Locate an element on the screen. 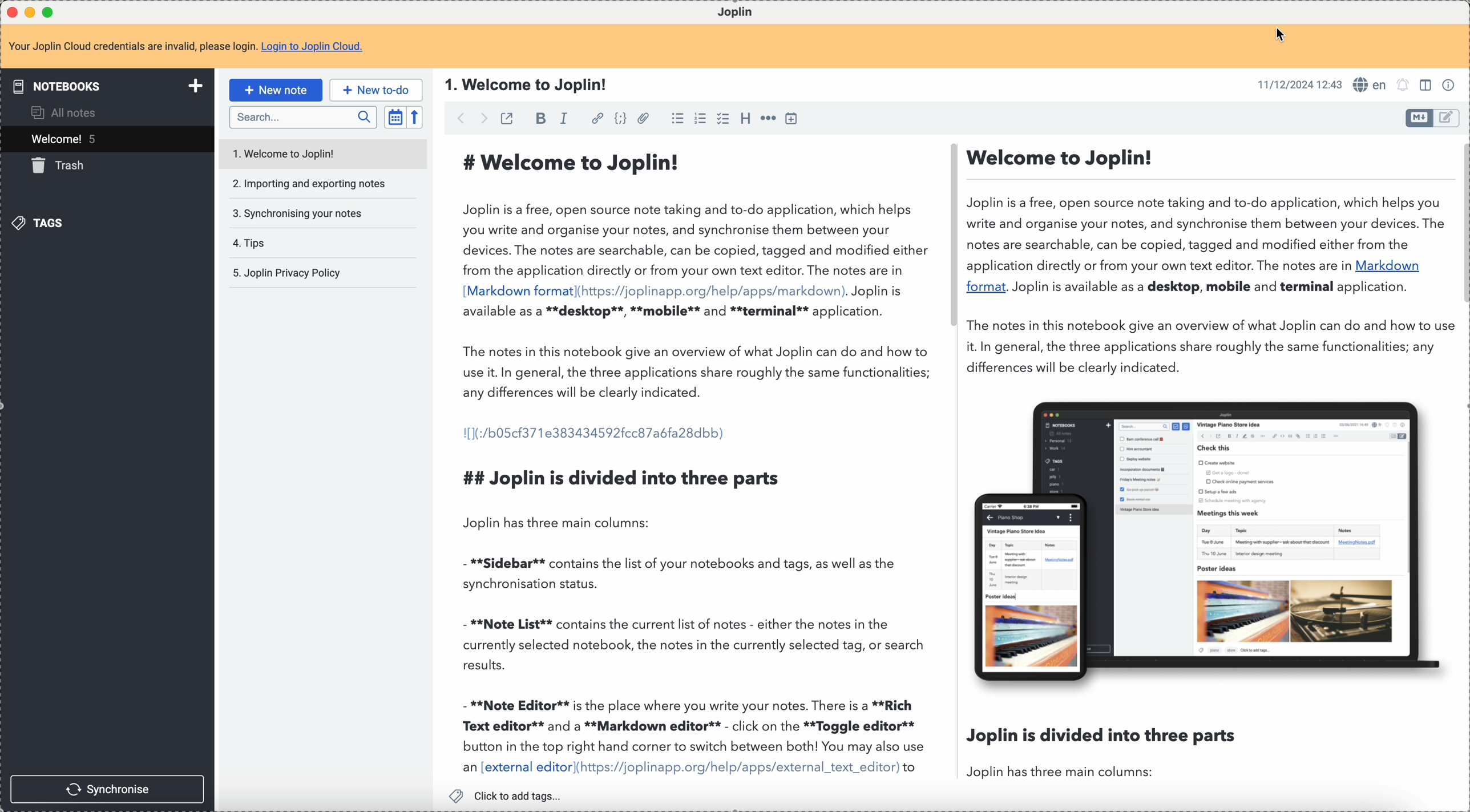  1. Welcome to Joplin! is located at coordinates (530, 84).